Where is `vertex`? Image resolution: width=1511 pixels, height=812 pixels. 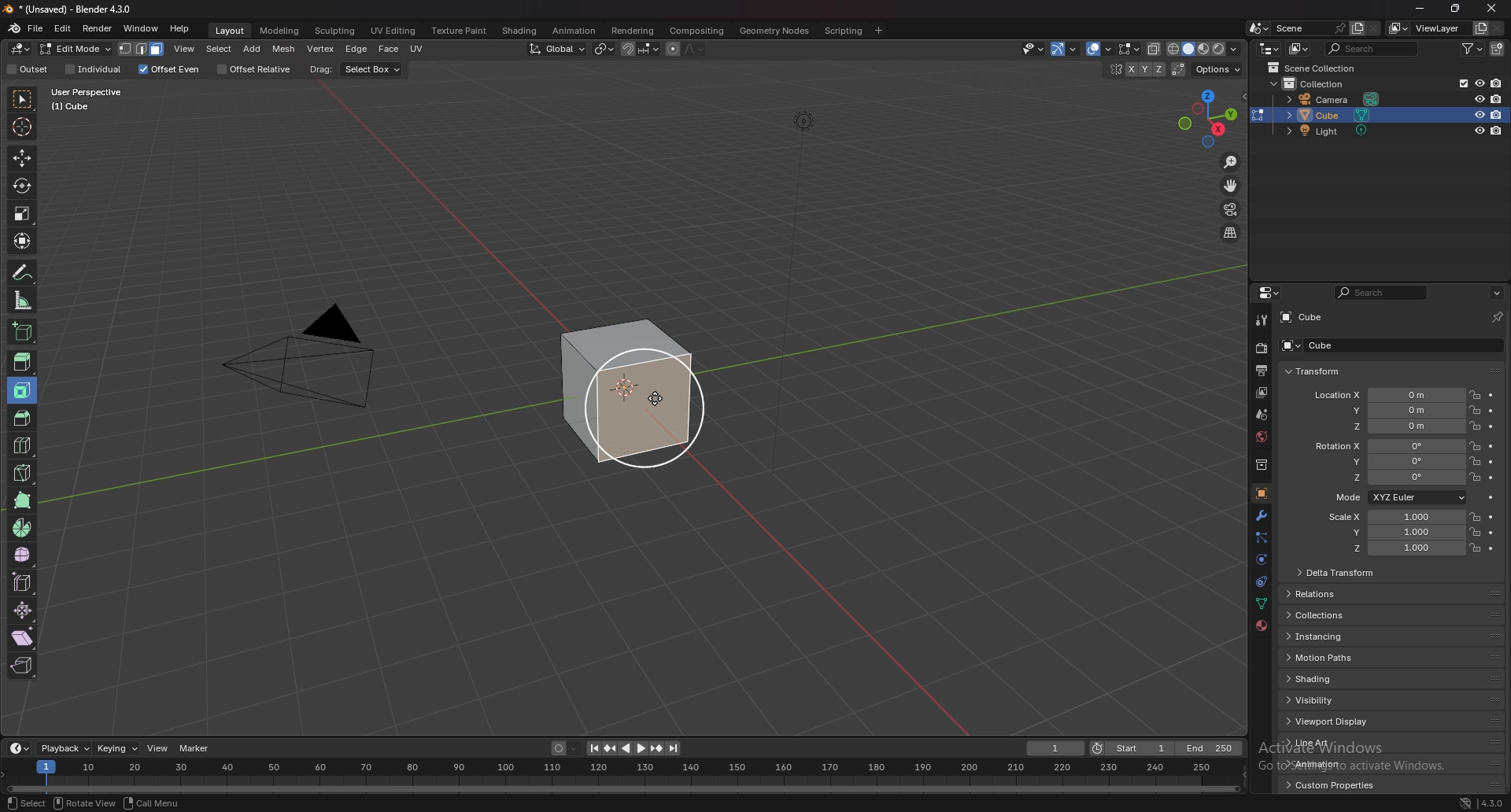 vertex is located at coordinates (320, 49).